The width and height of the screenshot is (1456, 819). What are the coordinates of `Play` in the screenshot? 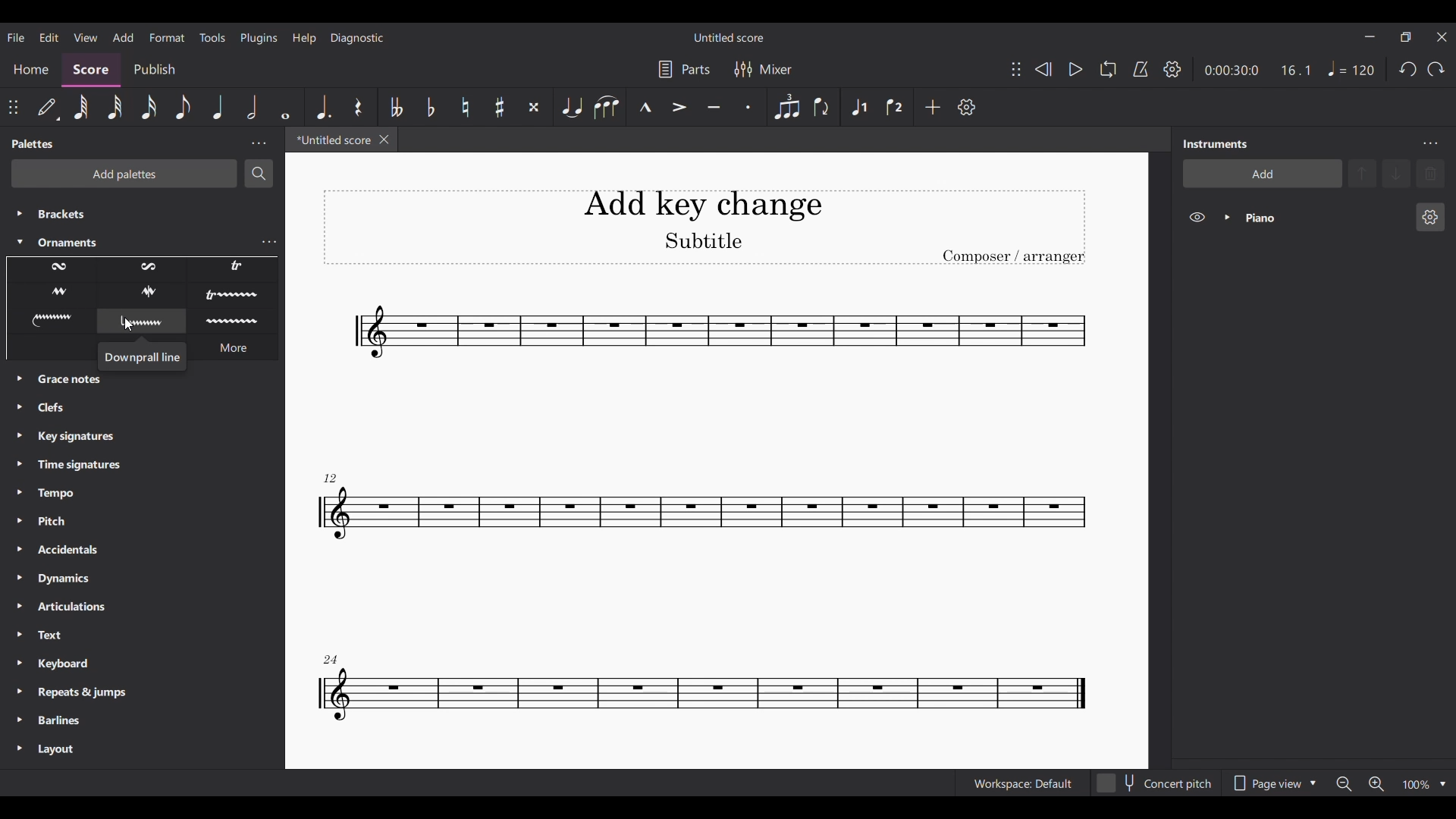 It's located at (1075, 70).